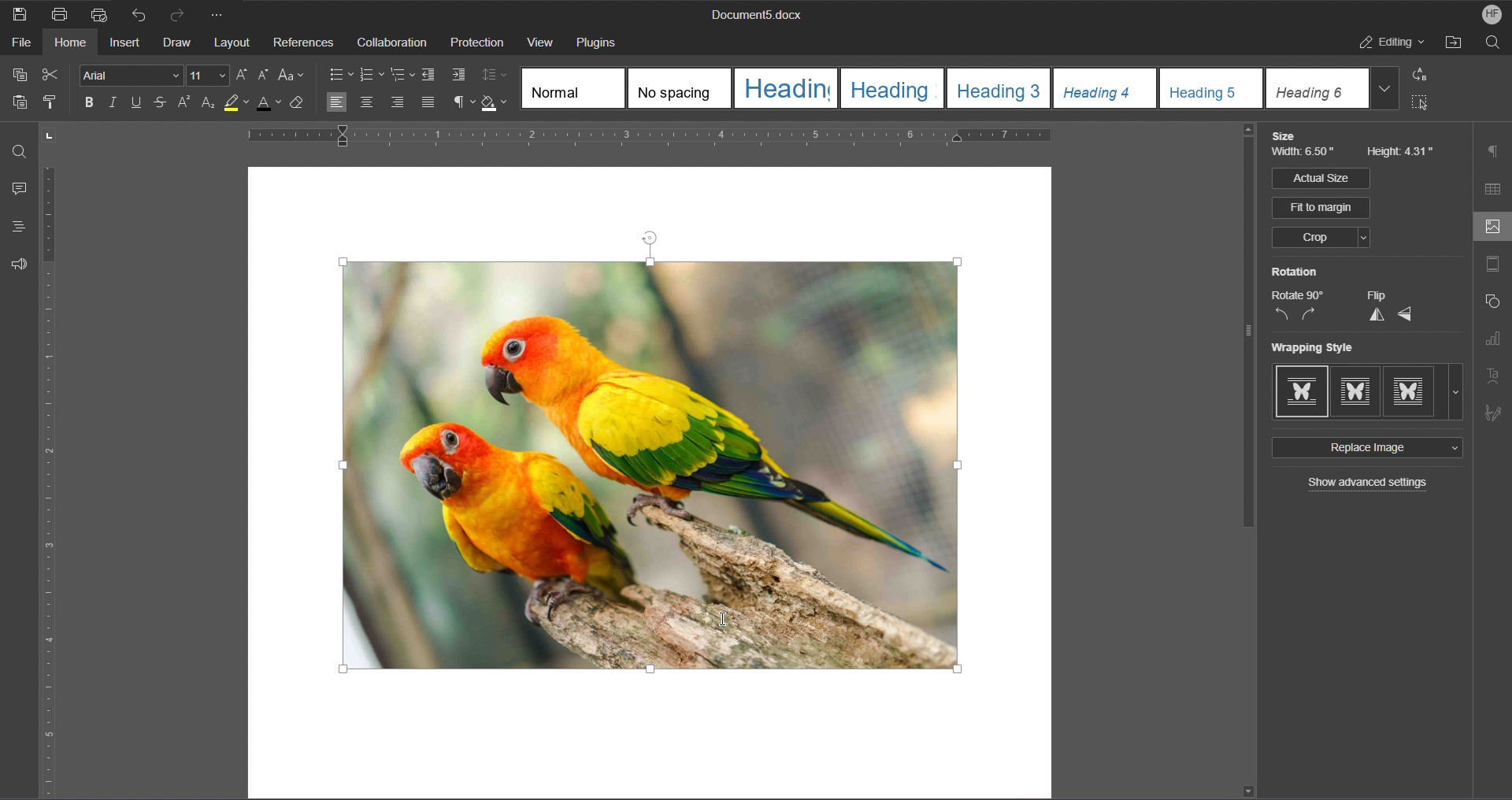 The height and width of the screenshot is (800, 1512). I want to click on Italic, so click(113, 103).